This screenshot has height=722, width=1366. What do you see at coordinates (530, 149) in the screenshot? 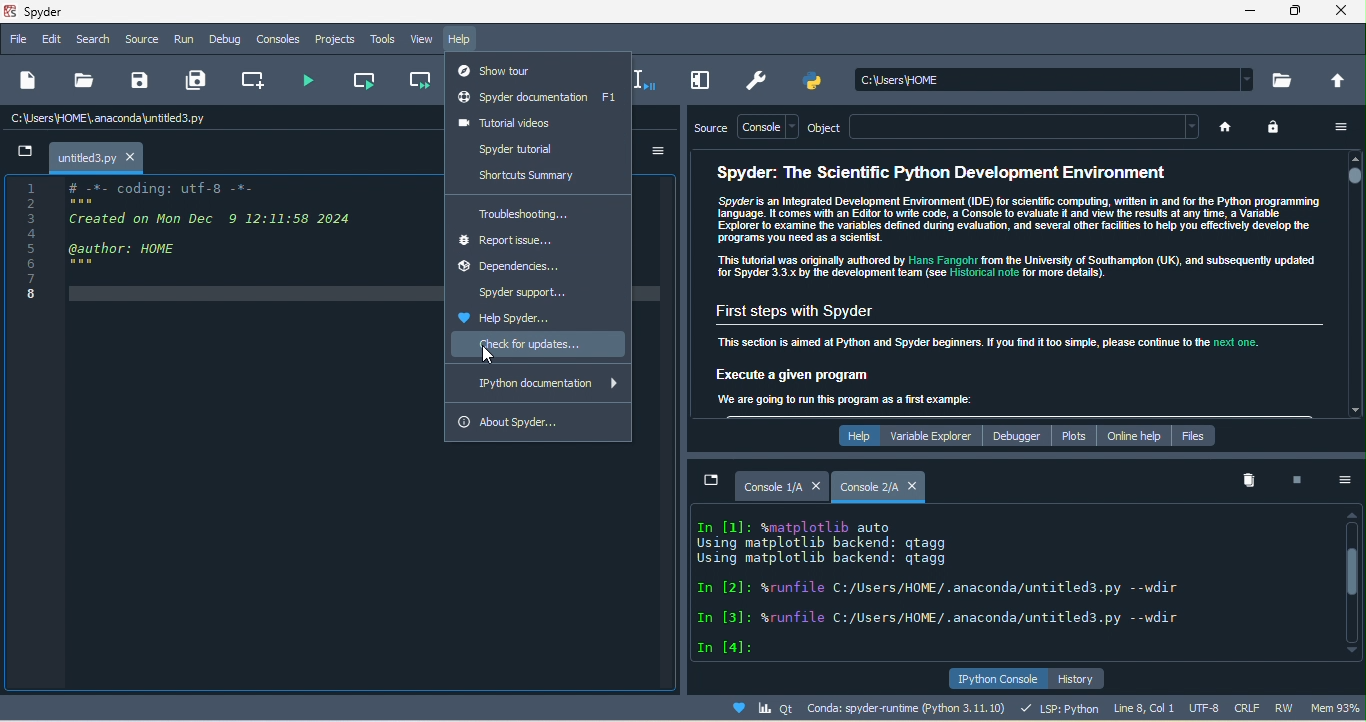
I see `spyder tutorial` at bounding box center [530, 149].